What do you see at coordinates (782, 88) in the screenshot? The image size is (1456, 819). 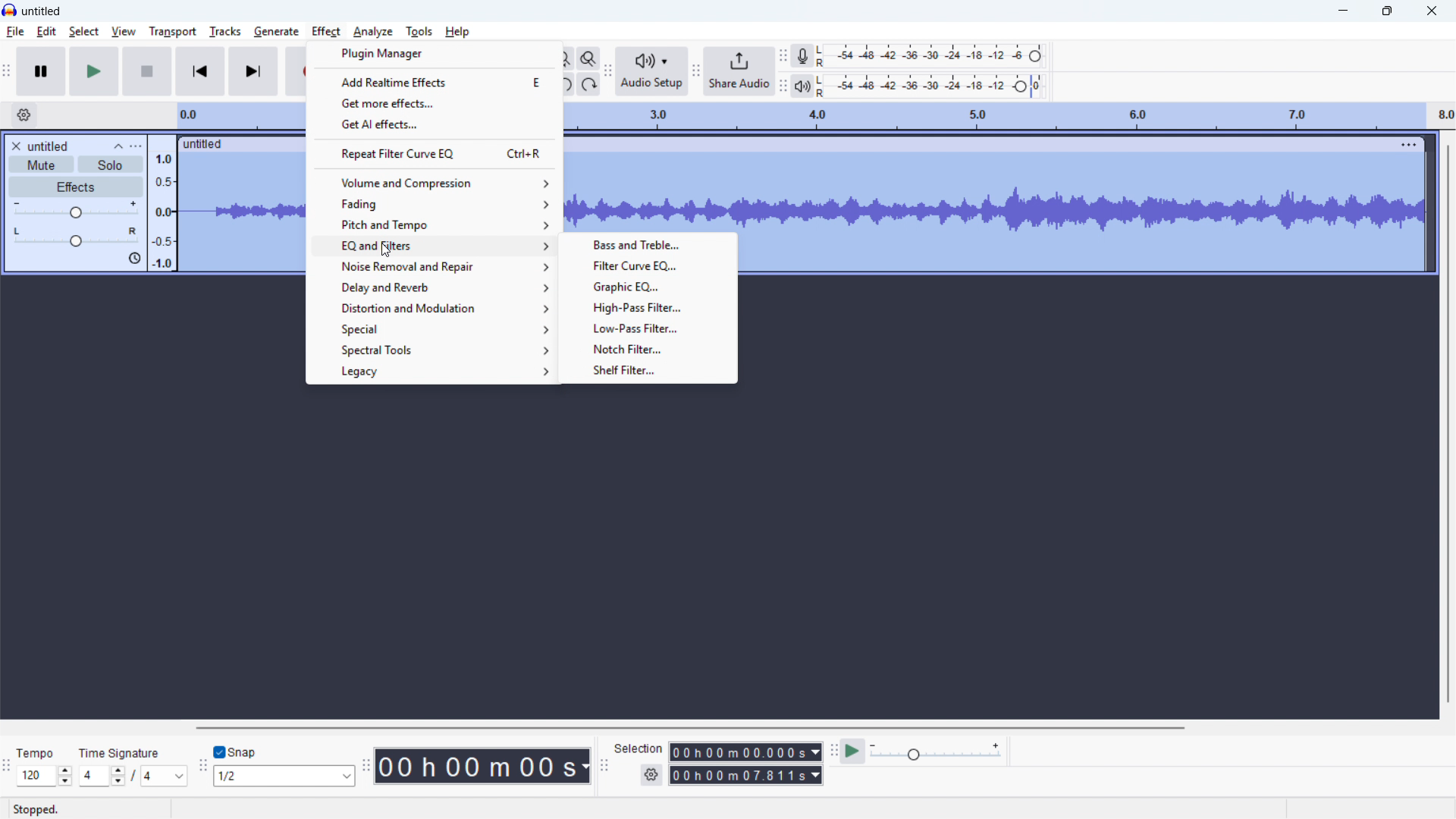 I see `Playback metre toolbar ` at bounding box center [782, 88].